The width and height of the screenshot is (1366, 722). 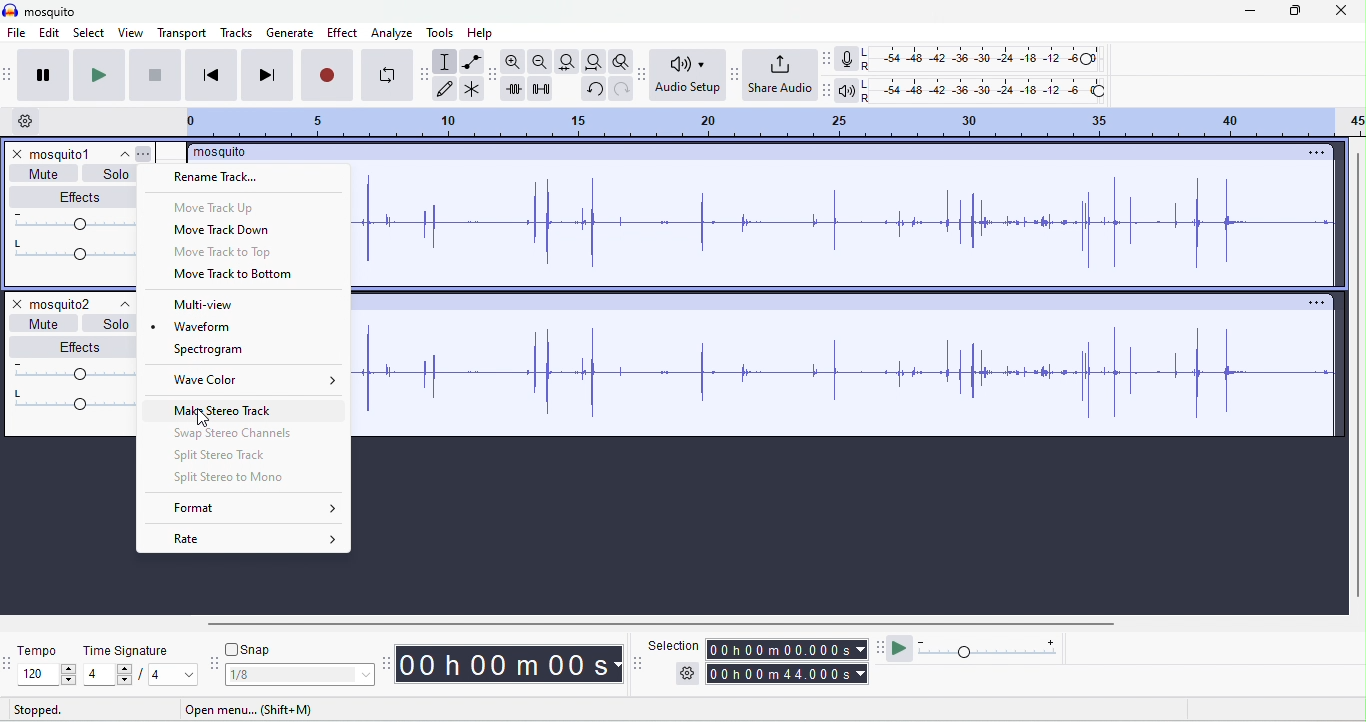 What do you see at coordinates (44, 173) in the screenshot?
I see `mute` at bounding box center [44, 173].